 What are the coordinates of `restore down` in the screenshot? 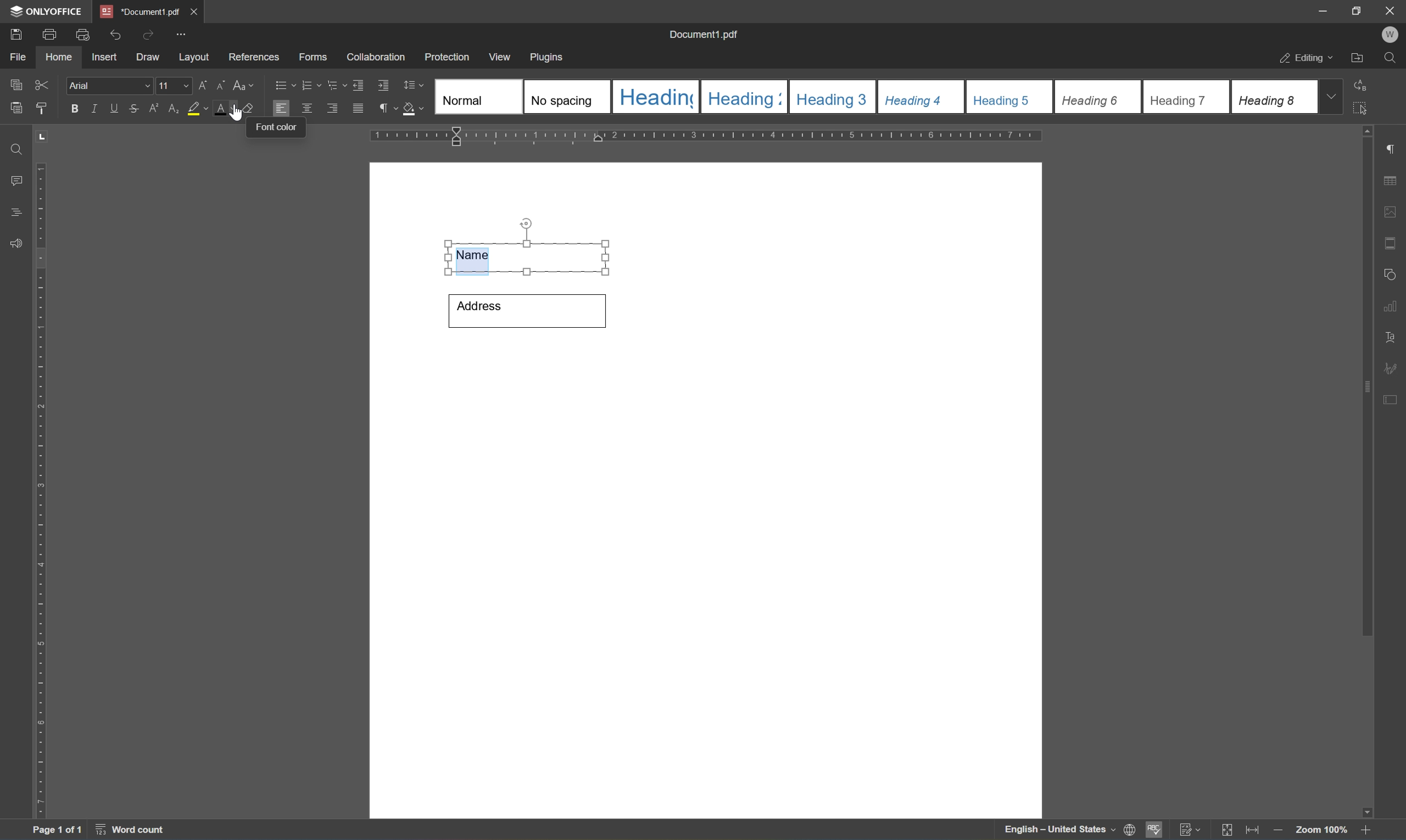 It's located at (1356, 11).